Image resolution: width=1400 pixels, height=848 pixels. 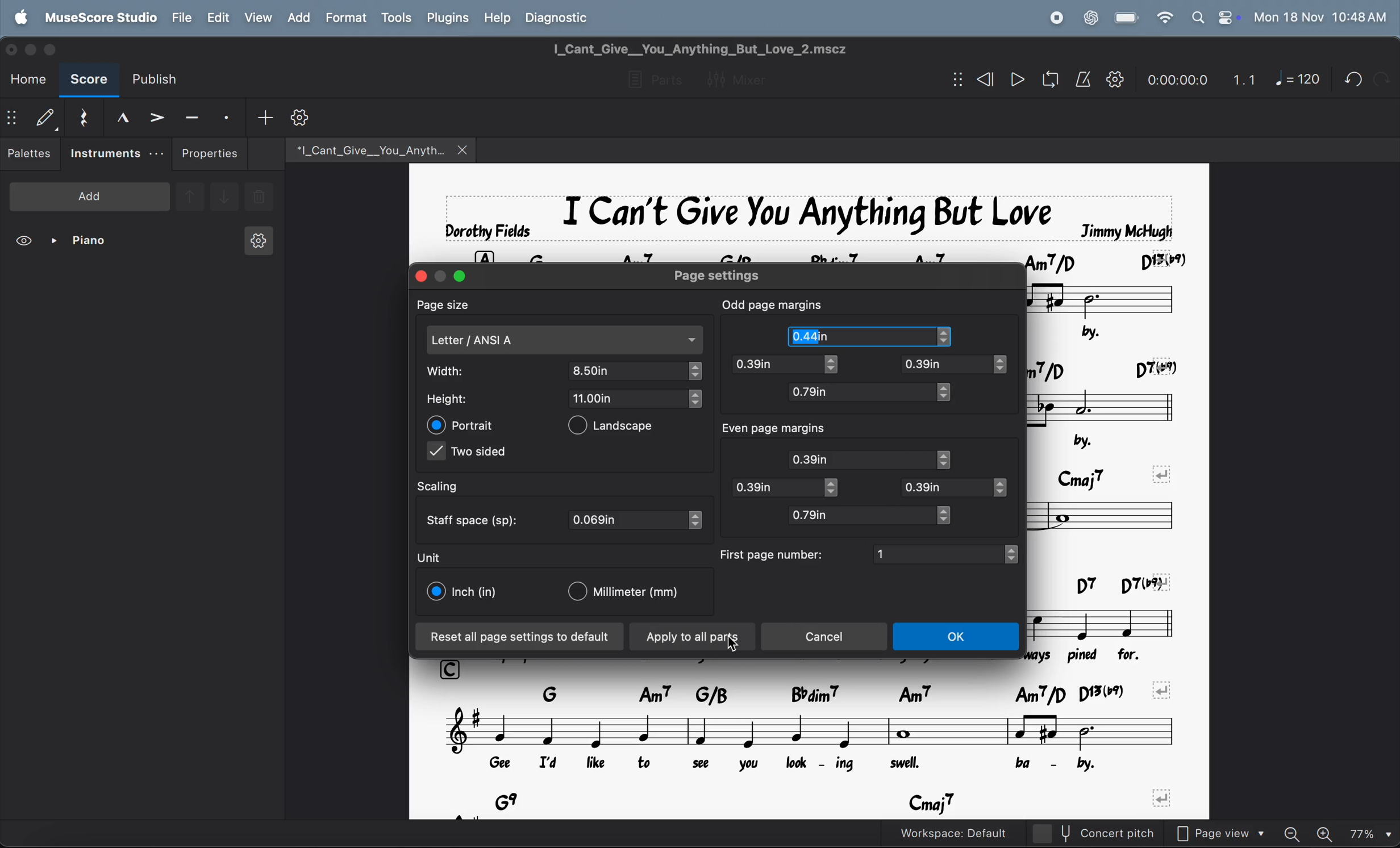 What do you see at coordinates (1101, 582) in the screenshot?
I see `chord symbols` at bounding box center [1101, 582].